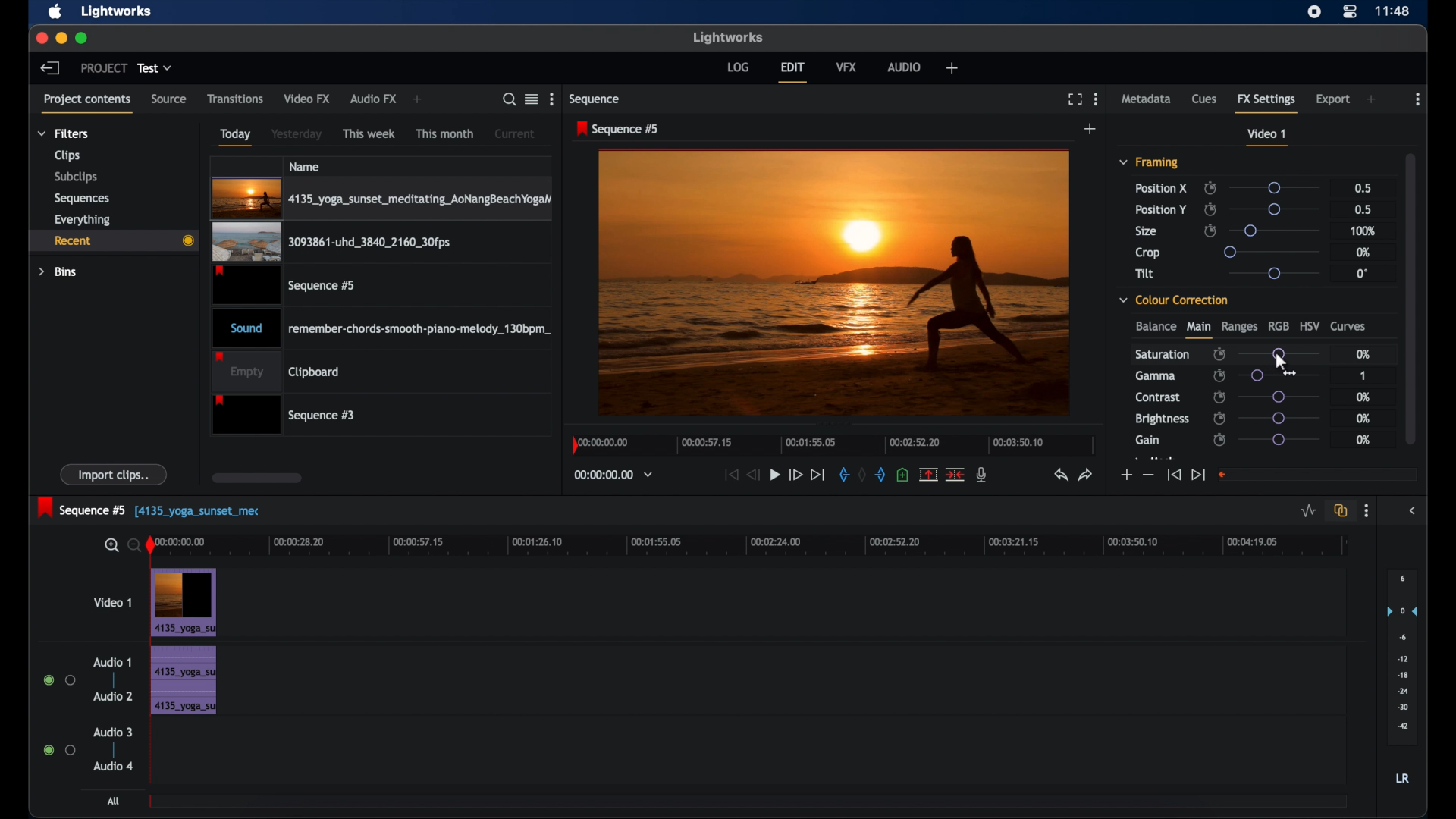  Describe the element at coordinates (532, 99) in the screenshot. I see `toggle list or tile view` at that location.